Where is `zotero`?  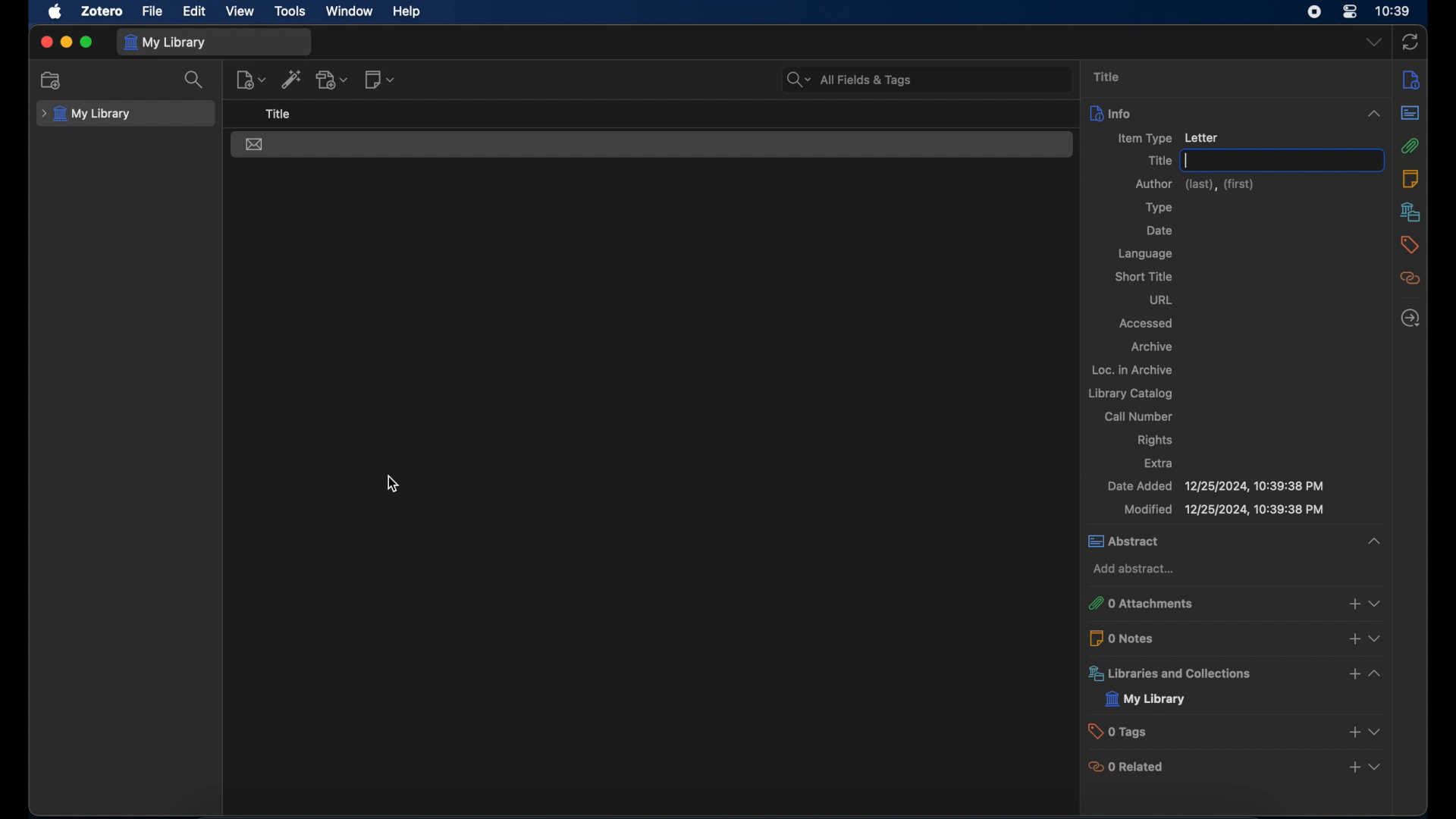
zotero is located at coordinates (103, 11).